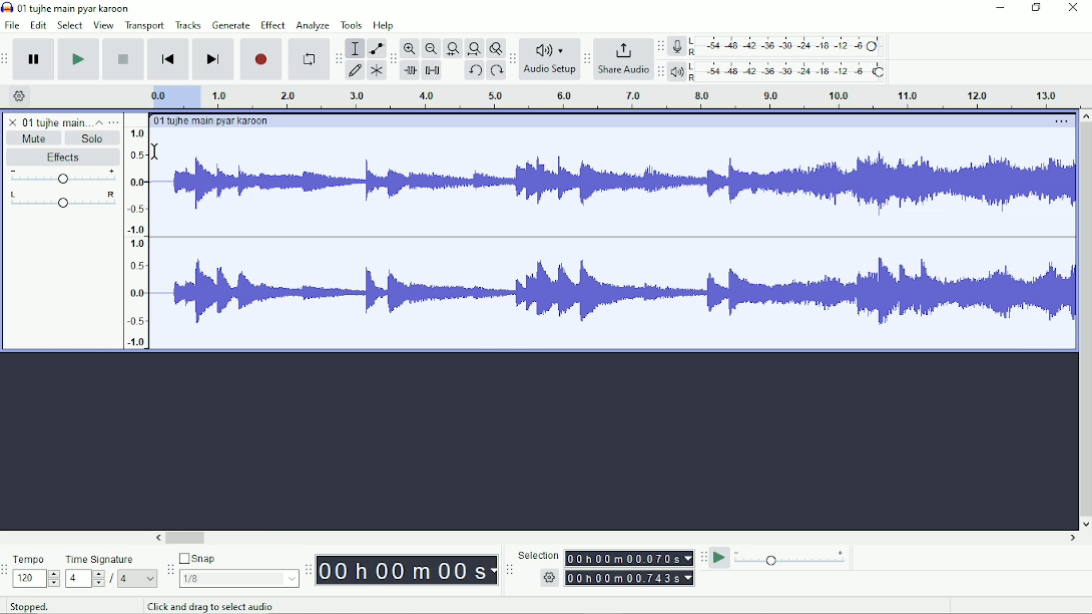 Image resolution: width=1092 pixels, height=614 pixels. What do you see at coordinates (114, 122) in the screenshot?
I see `Open menu` at bounding box center [114, 122].